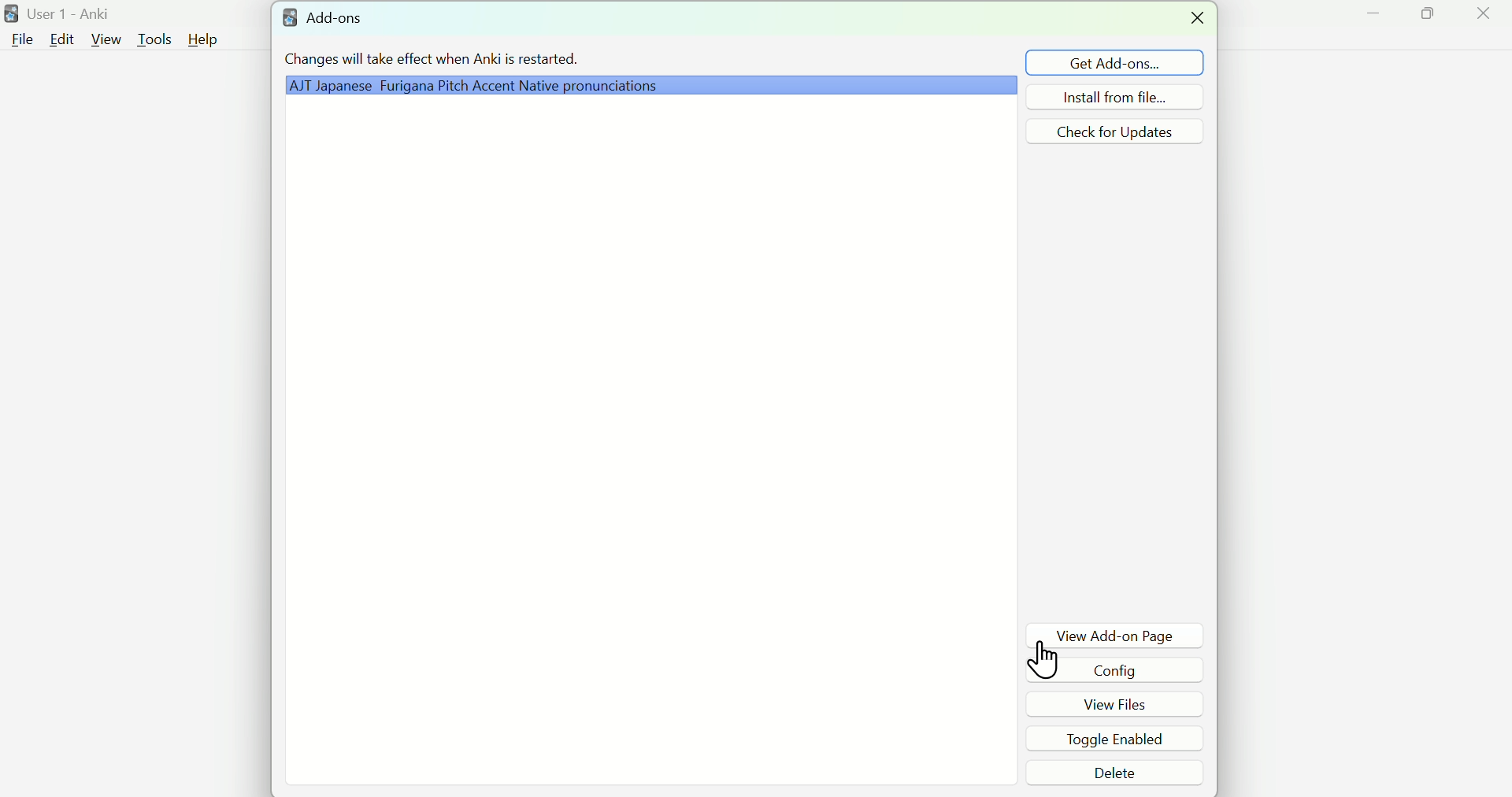 This screenshot has width=1512, height=797. What do you see at coordinates (154, 42) in the screenshot?
I see `Tools` at bounding box center [154, 42].